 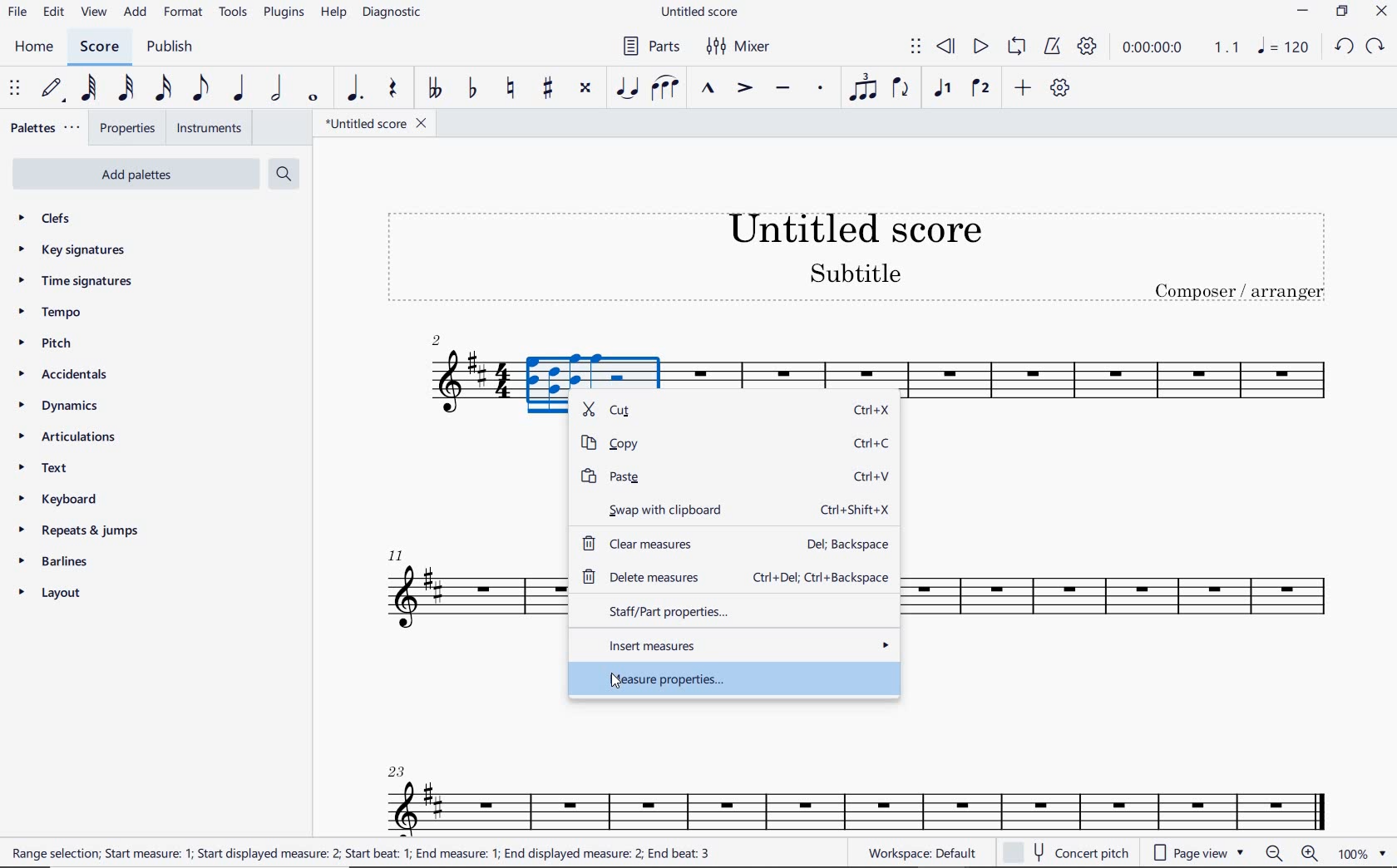 I want to click on MINIMIZE, so click(x=1304, y=13).